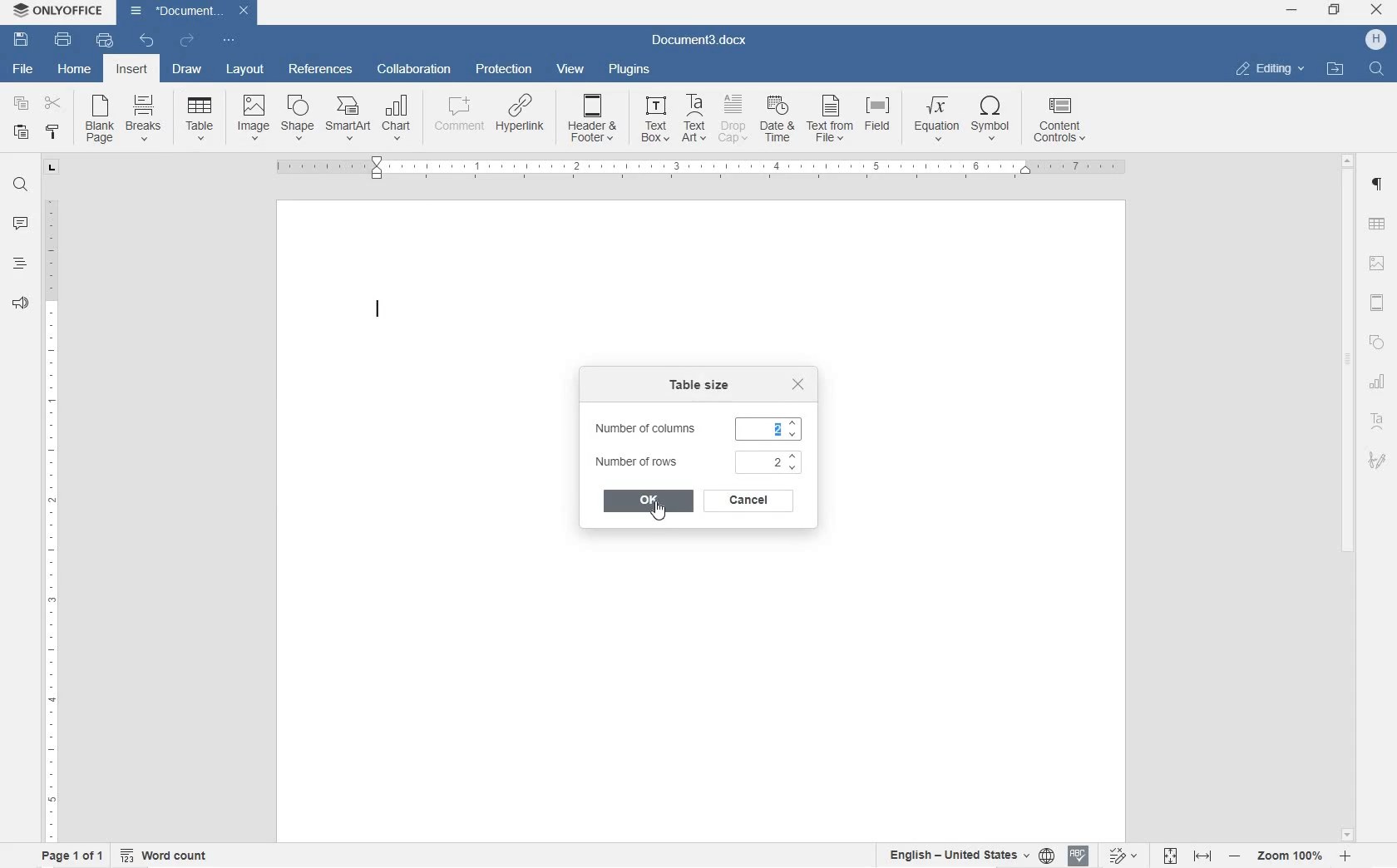 Image resolution: width=1397 pixels, height=868 pixels. Describe the element at coordinates (19, 187) in the screenshot. I see `FIND` at that location.